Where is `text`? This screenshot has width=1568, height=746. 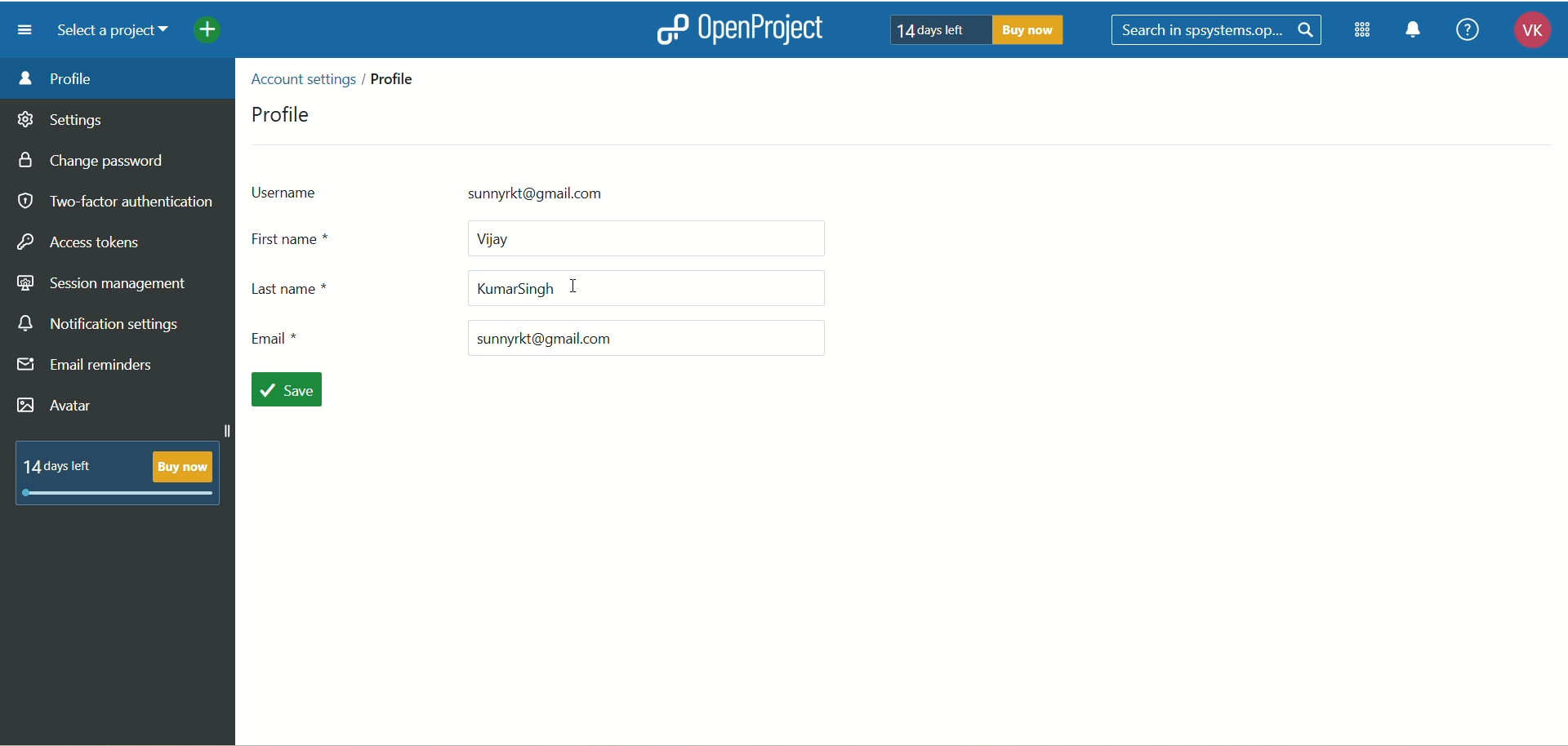 text is located at coordinates (979, 30).